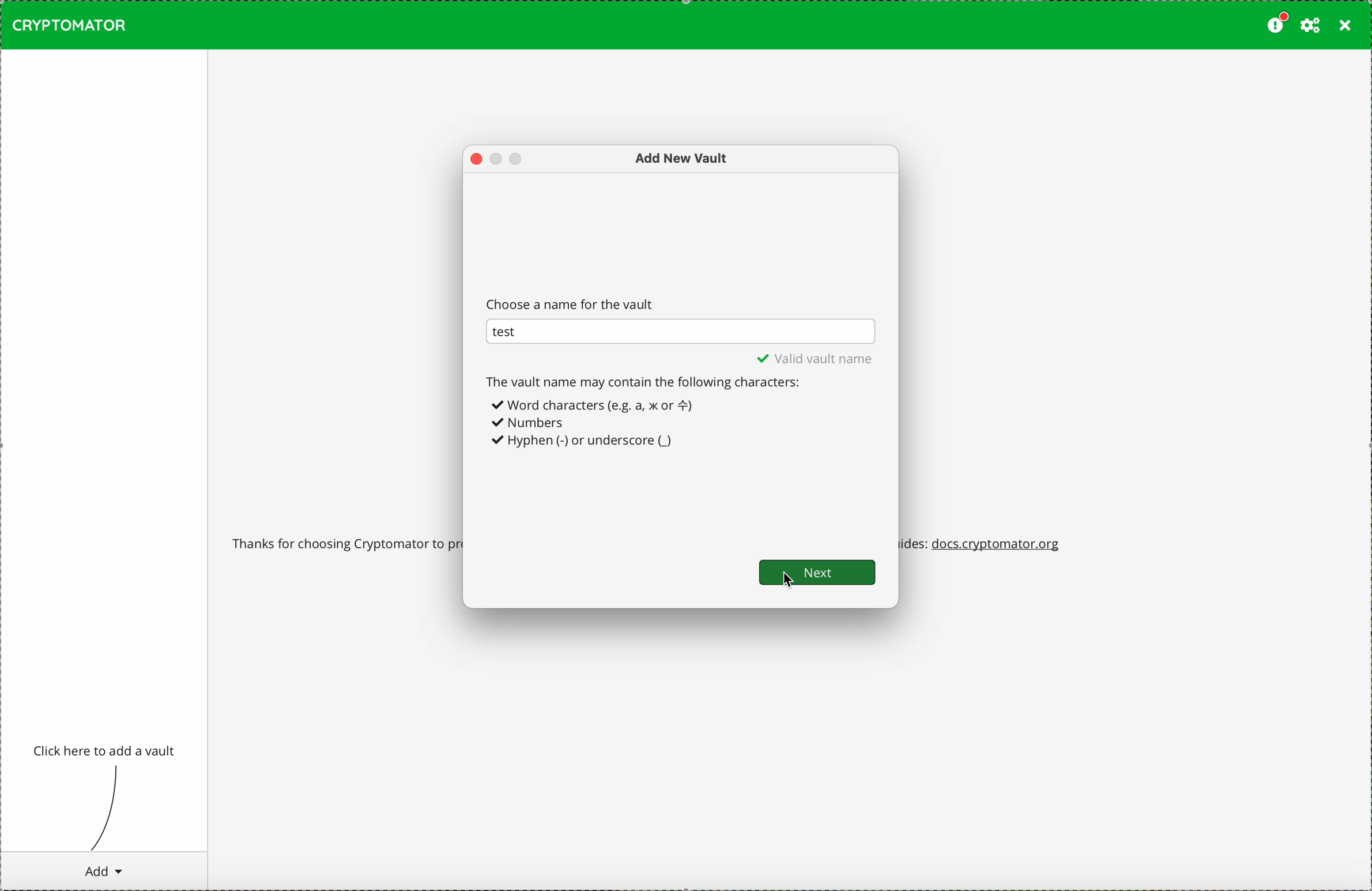  What do you see at coordinates (69, 25) in the screenshot?
I see `CRYPTOMATOR` at bounding box center [69, 25].